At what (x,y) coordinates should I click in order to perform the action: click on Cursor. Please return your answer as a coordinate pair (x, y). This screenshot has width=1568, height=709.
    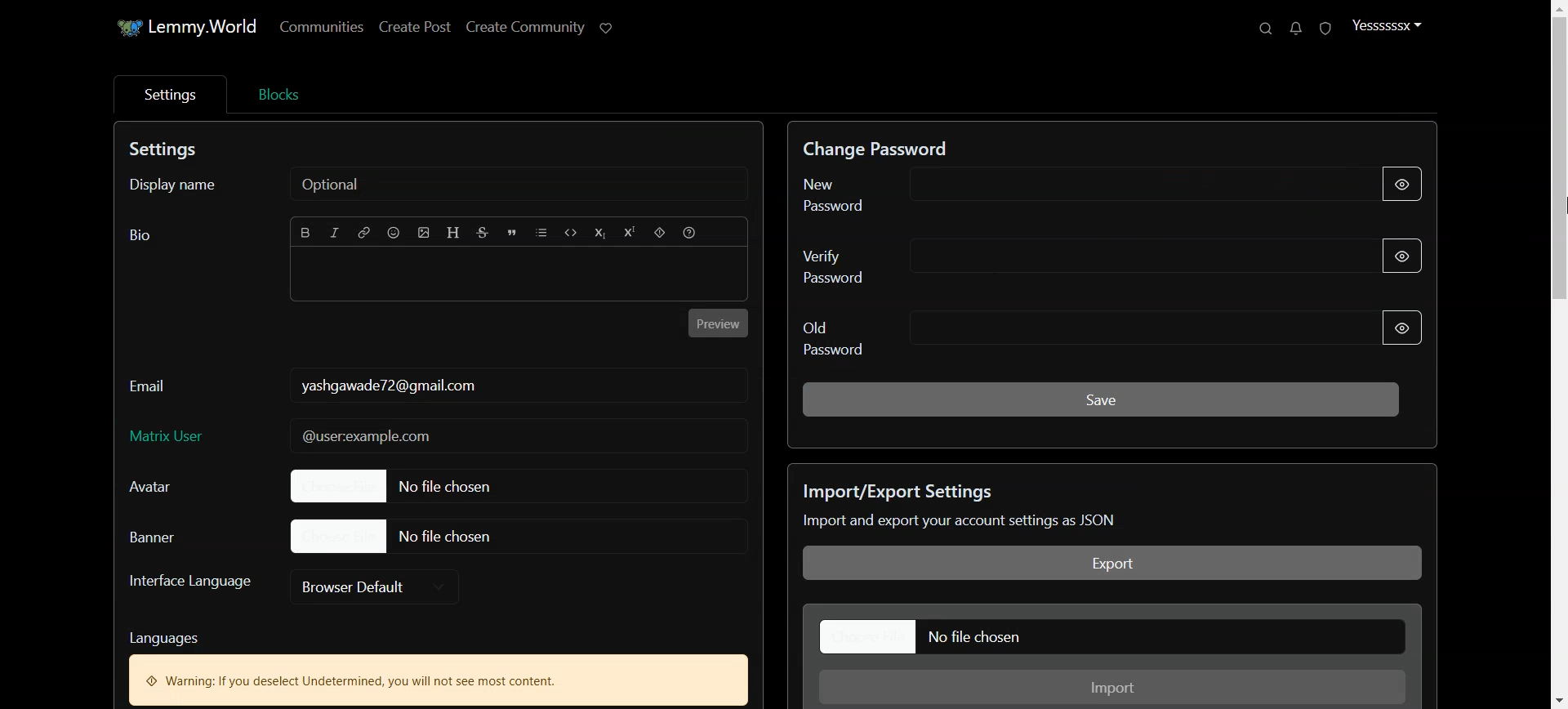
    Looking at the image, I should click on (1558, 201).